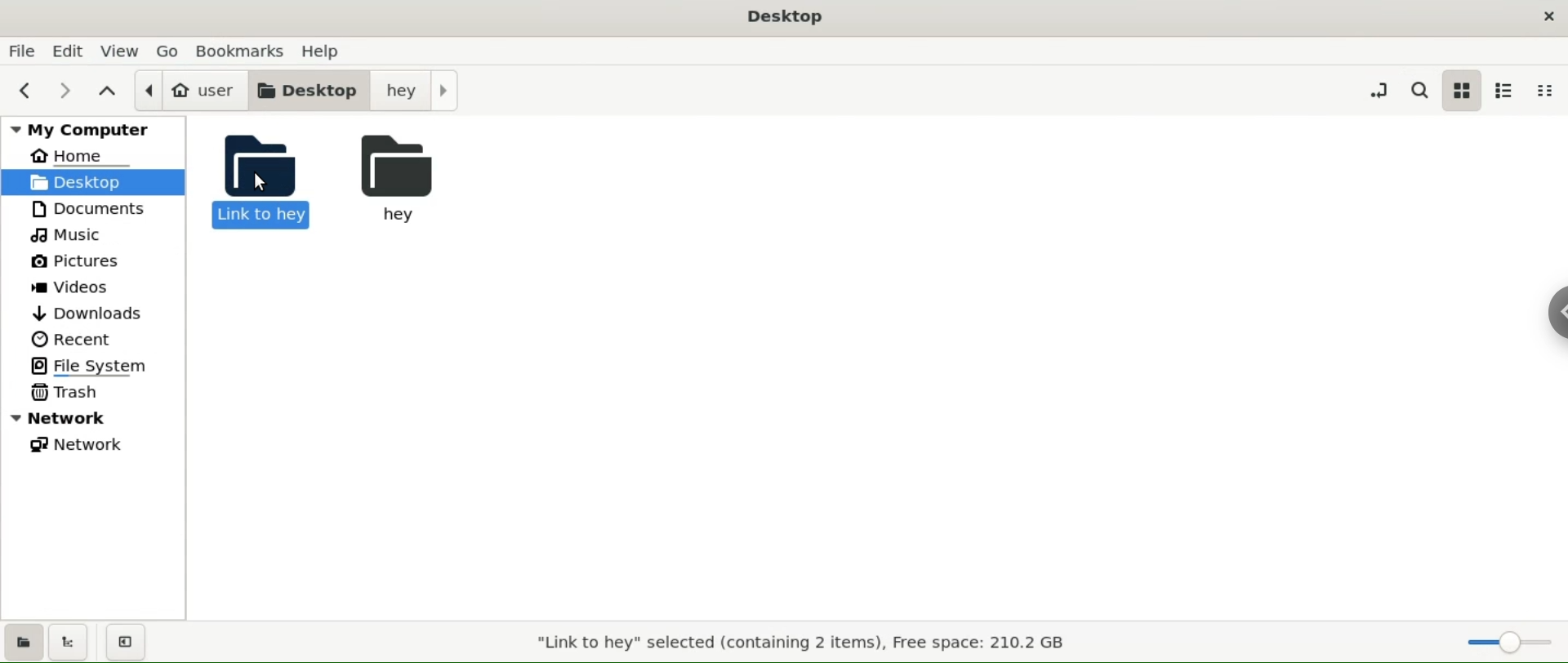 This screenshot has height=663, width=1568. Describe the element at coordinates (263, 185) in the screenshot. I see `cursor` at that location.